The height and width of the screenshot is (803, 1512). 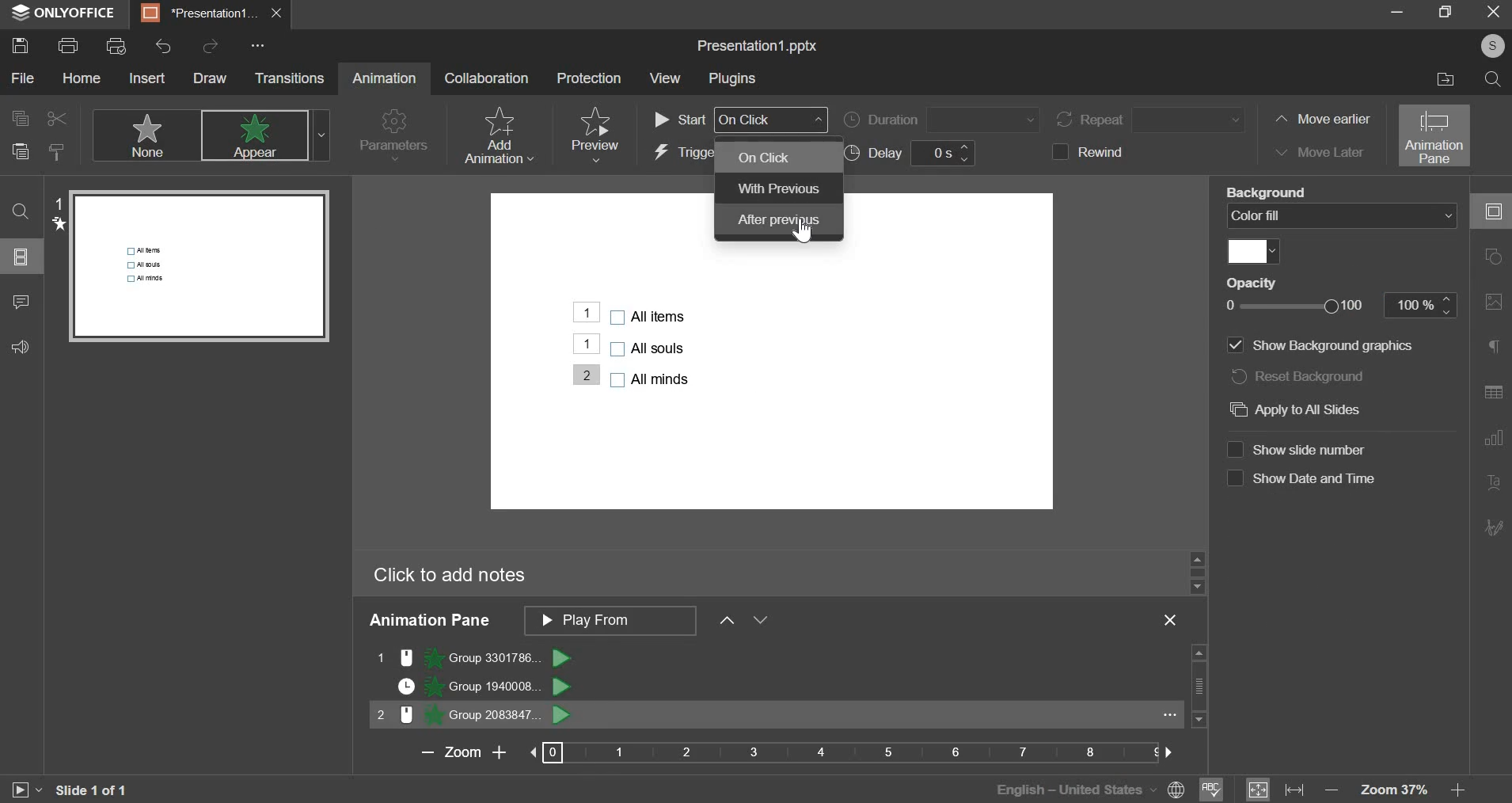 What do you see at coordinates (68, 44) in the screenshot?
I see `print` at bounding box center [68, 44].